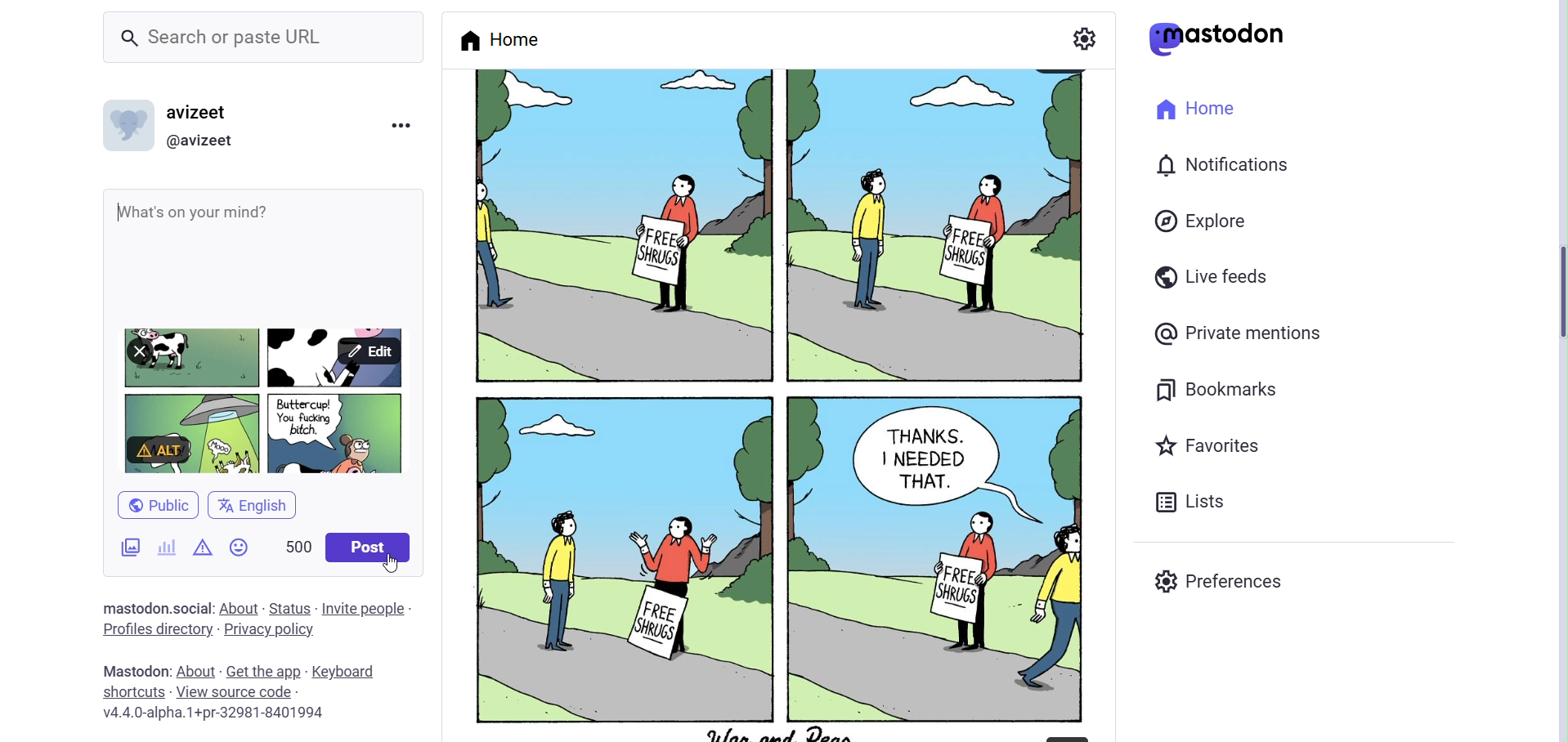 The image size is (1568, 742). I want to click on Privacy Policy, so click(269, 630).